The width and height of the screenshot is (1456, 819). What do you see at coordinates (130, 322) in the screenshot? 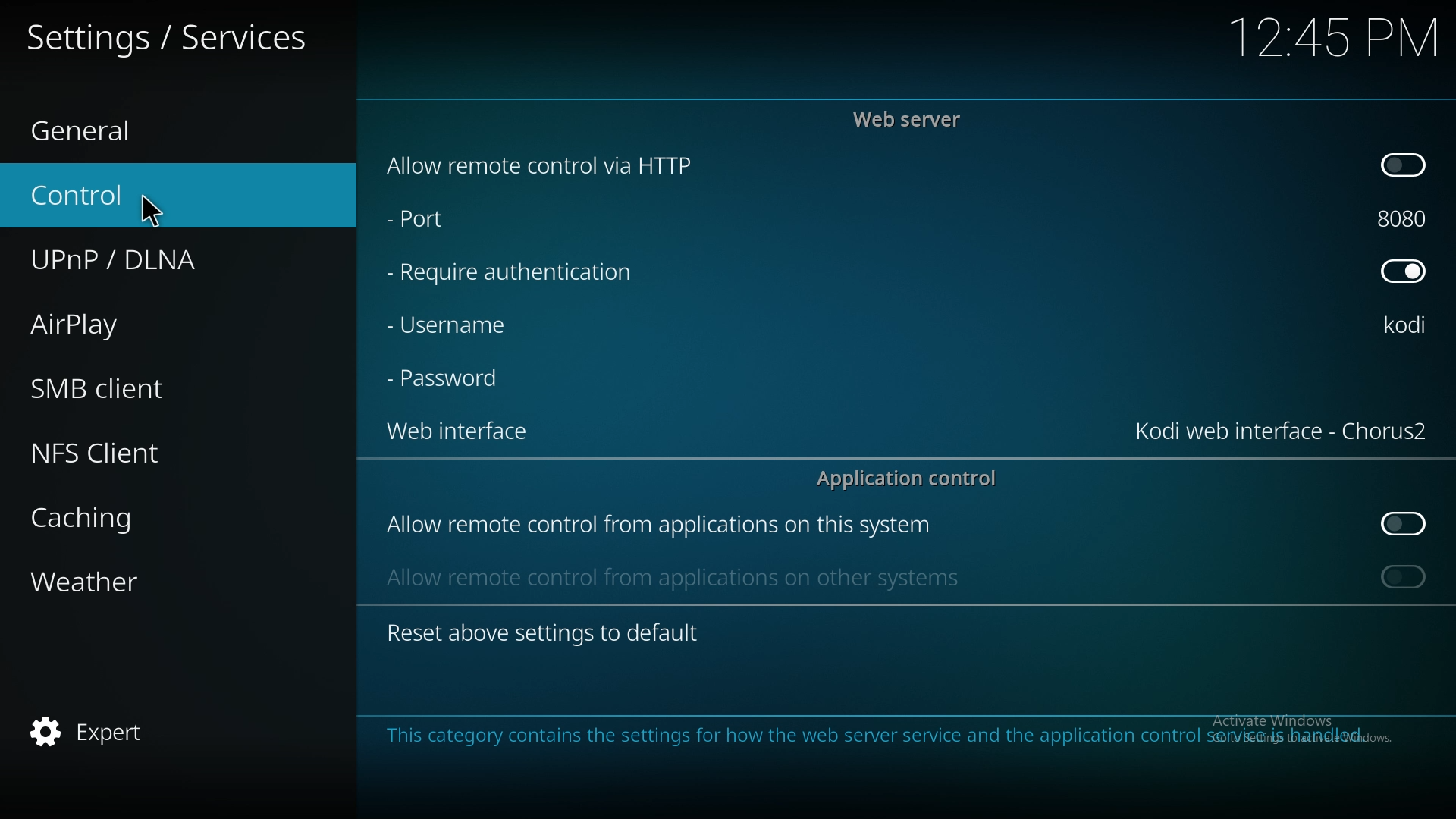
I see `airplay` at bounding box center [130, 322].